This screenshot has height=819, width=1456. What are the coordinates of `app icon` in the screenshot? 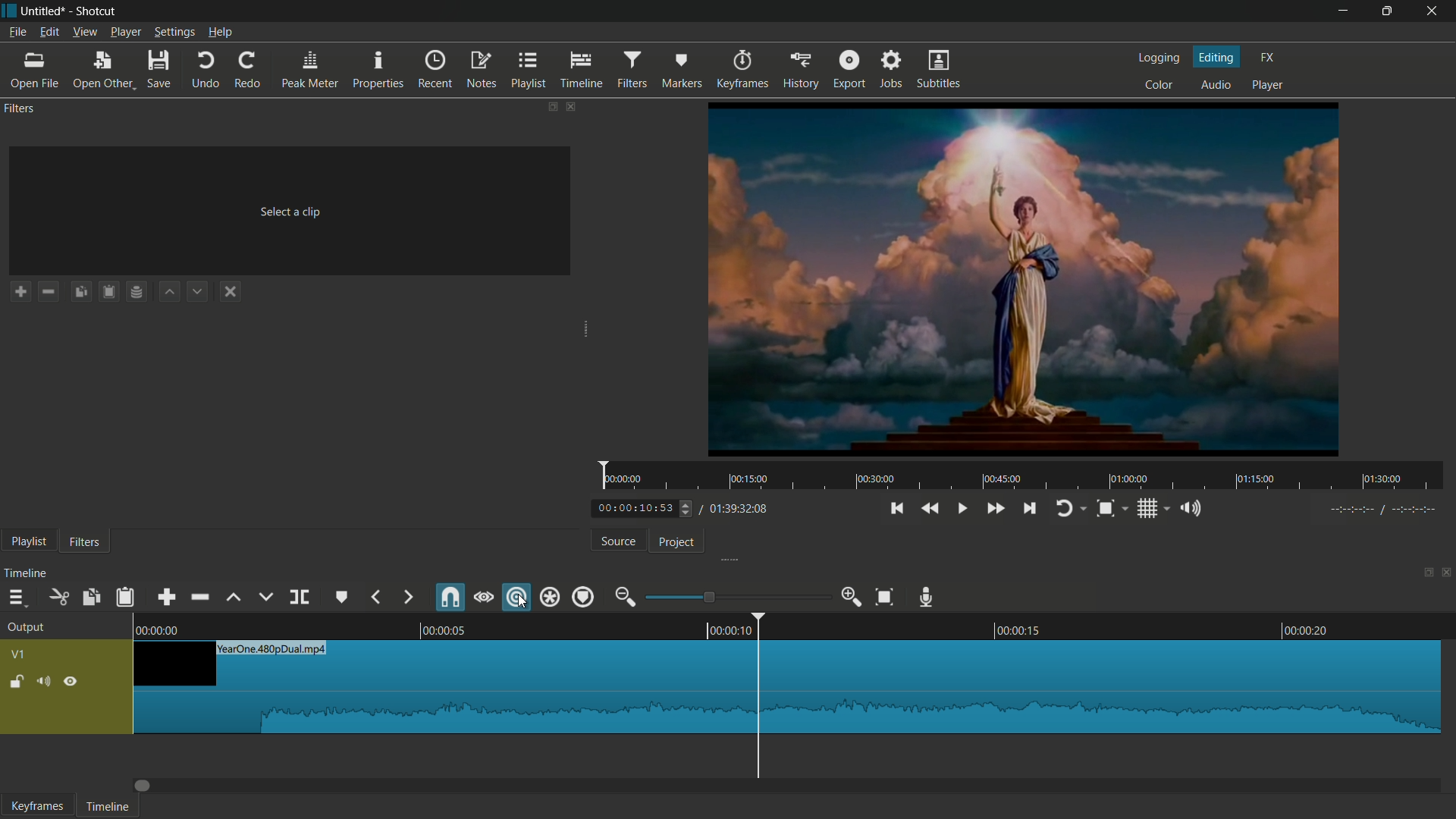 It's located at (10, 11).